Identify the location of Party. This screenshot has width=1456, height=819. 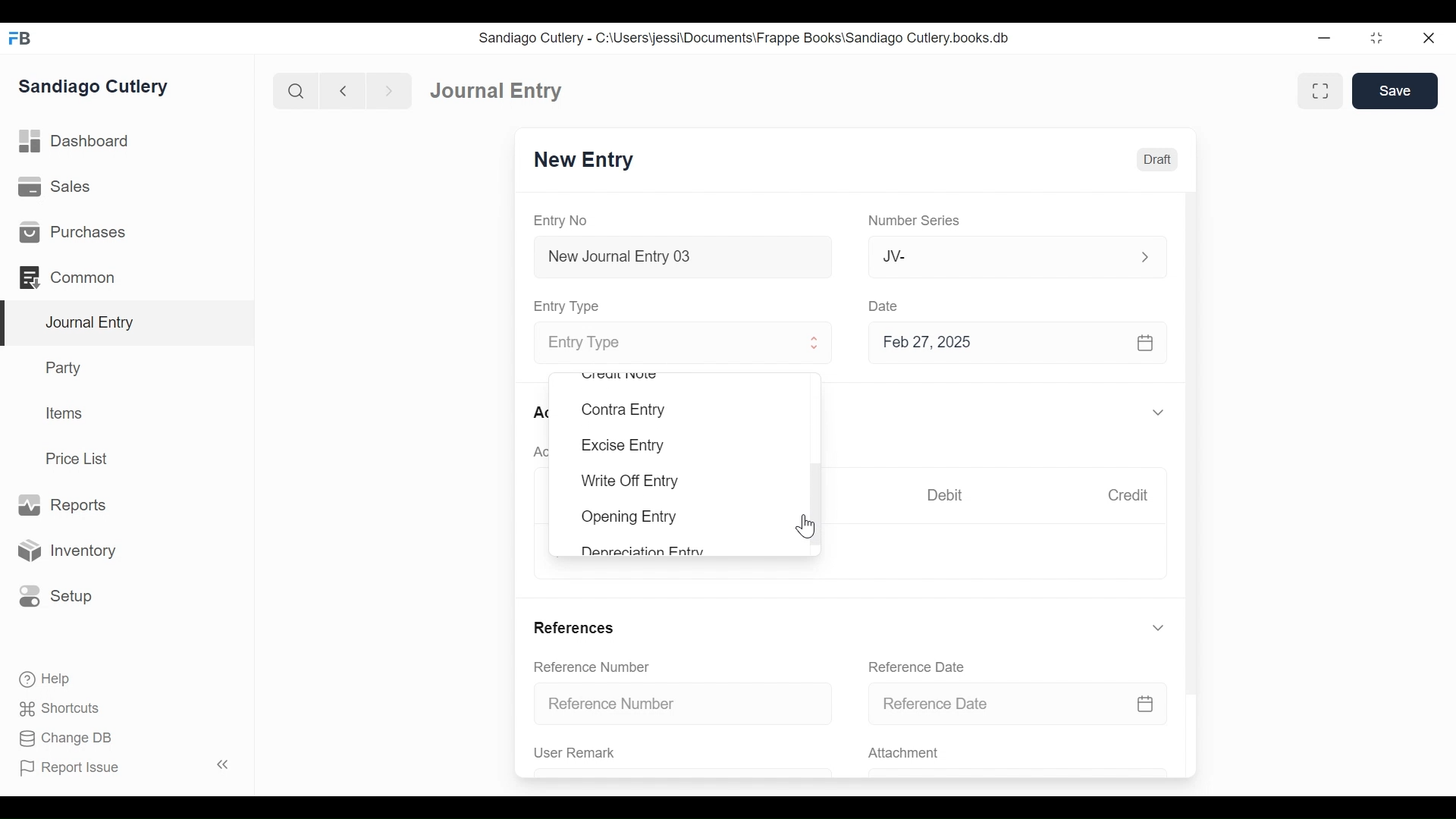
(66, 367).